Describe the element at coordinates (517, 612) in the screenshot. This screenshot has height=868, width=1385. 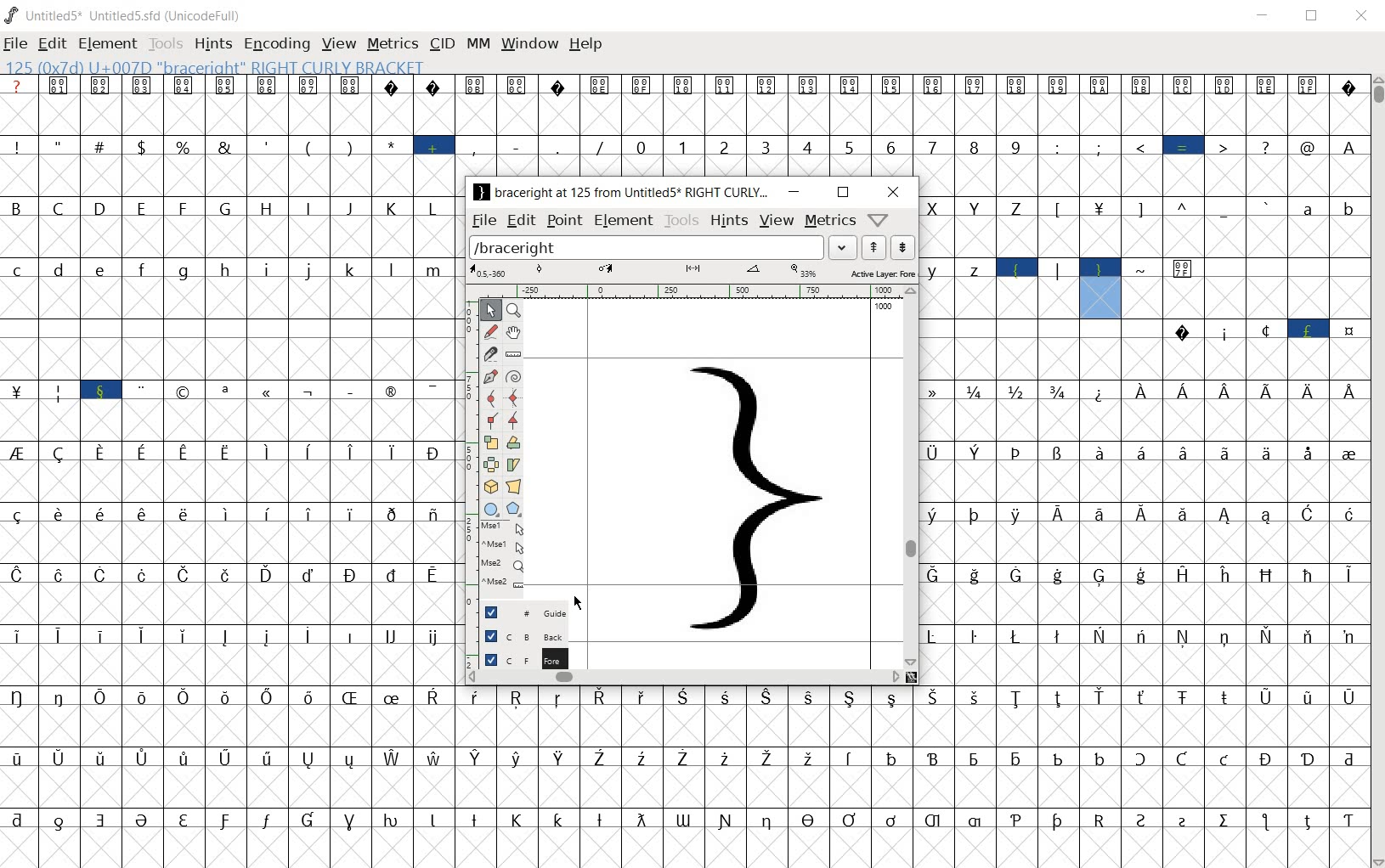
I see `Guide` at that location.